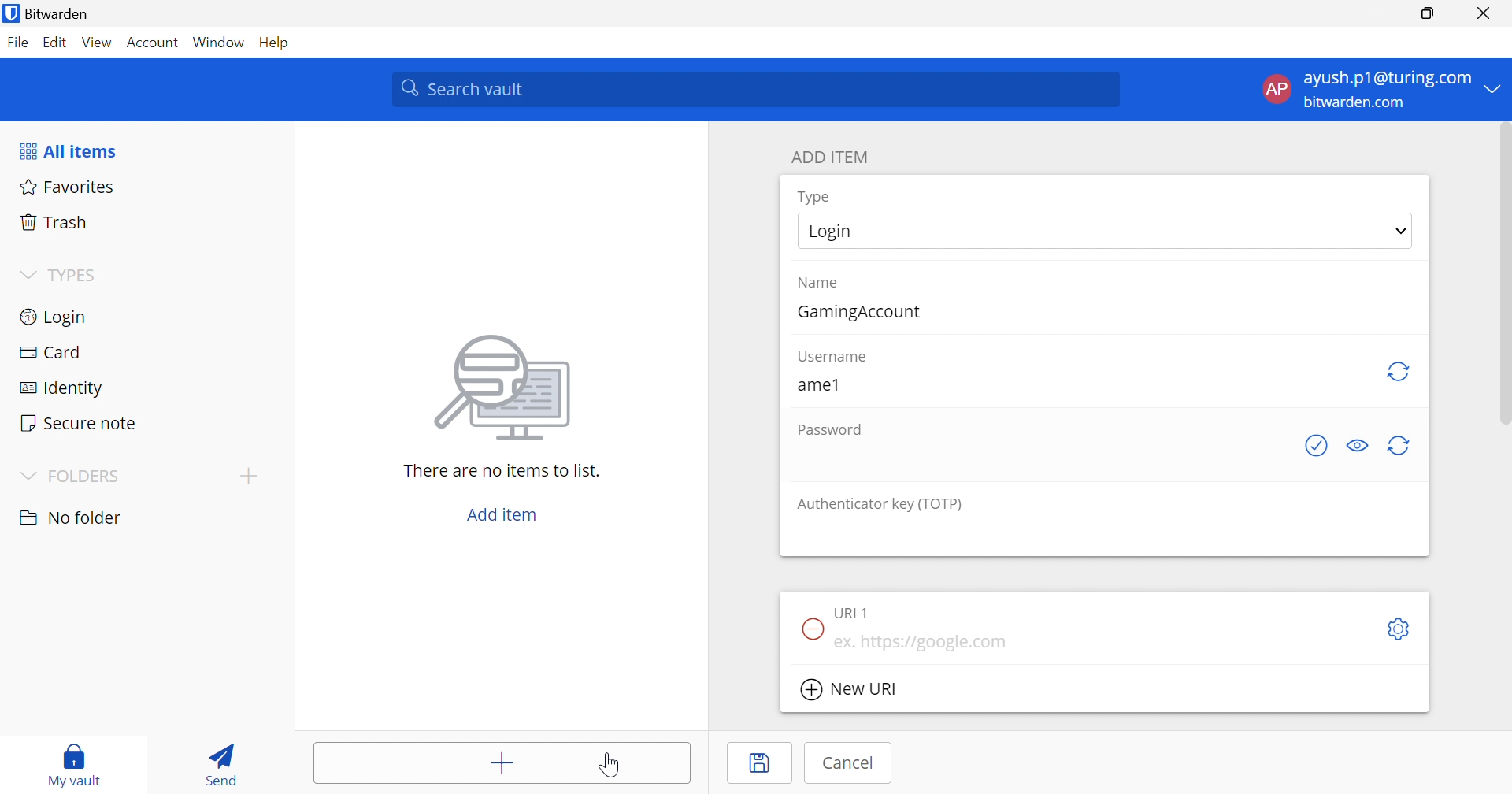 The width and height of the screenshot is (1512, 794). Describe the element at coordinates (757, 89) in the screenshot. I see `Search vault` at that location.